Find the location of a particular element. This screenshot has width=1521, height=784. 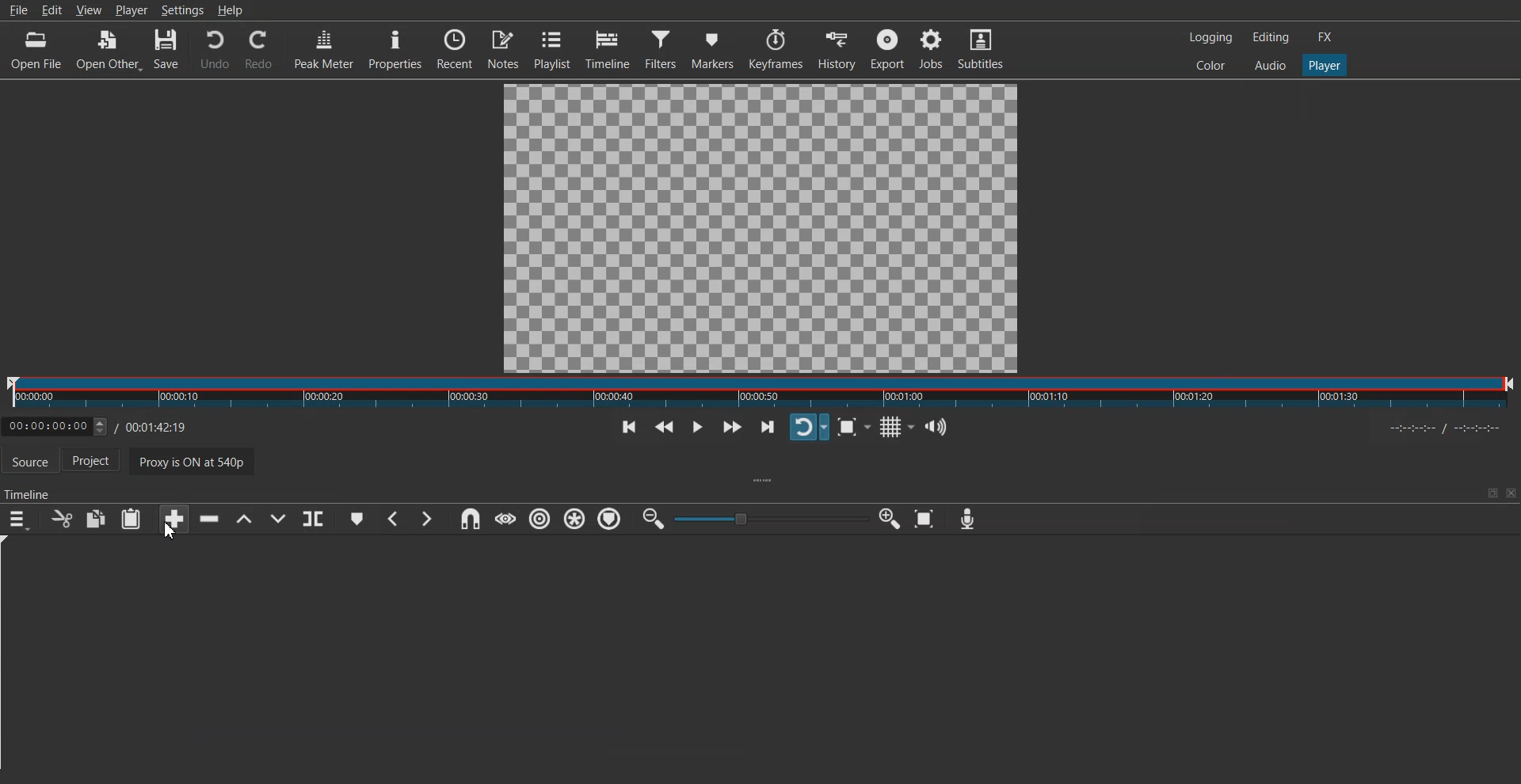

Add marker is located at coordinates (357, 519).